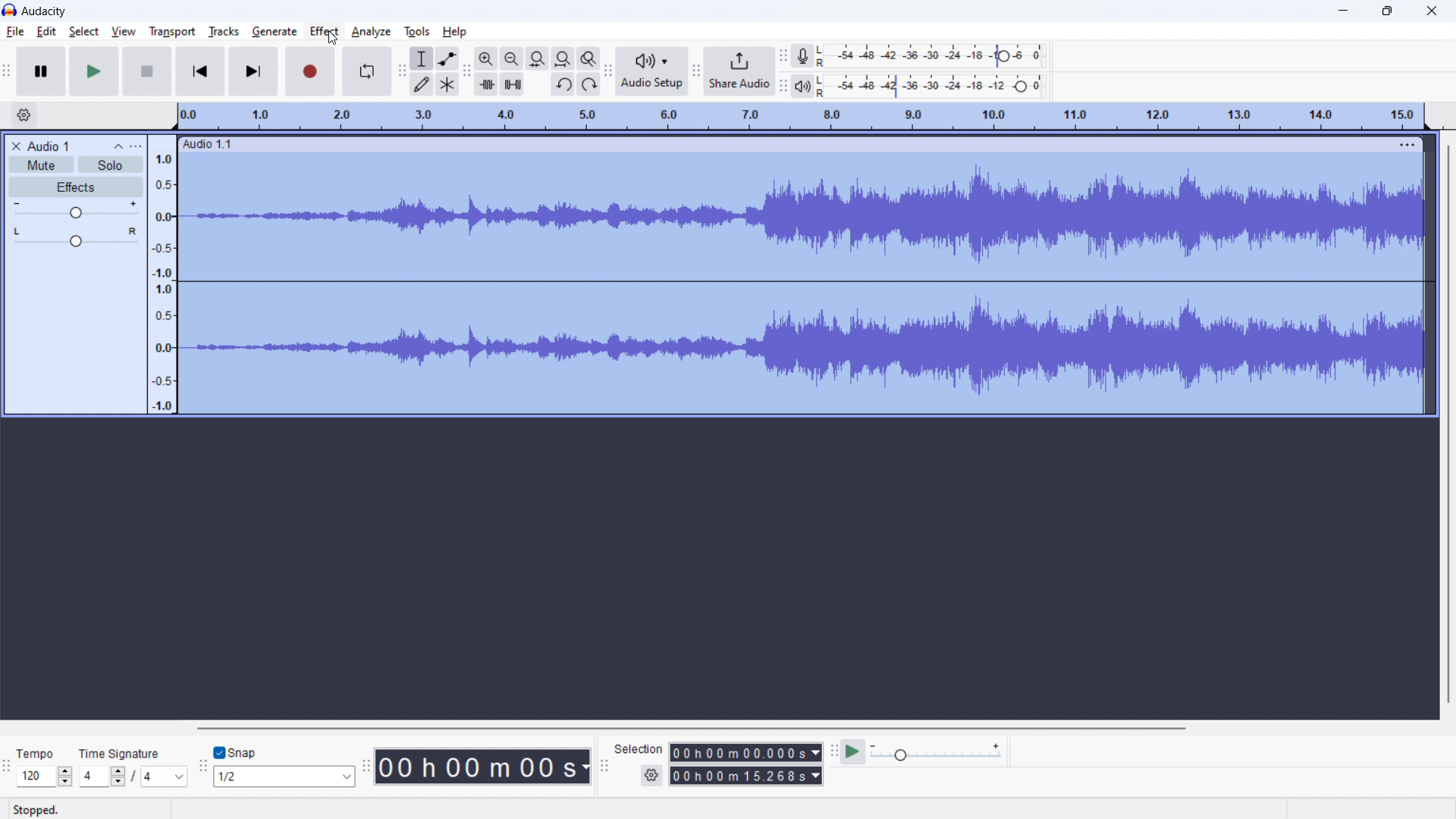  What do you see at coordinates (172, 32) in the screenshot?
I see `transport` at bounding box center [172, 32].